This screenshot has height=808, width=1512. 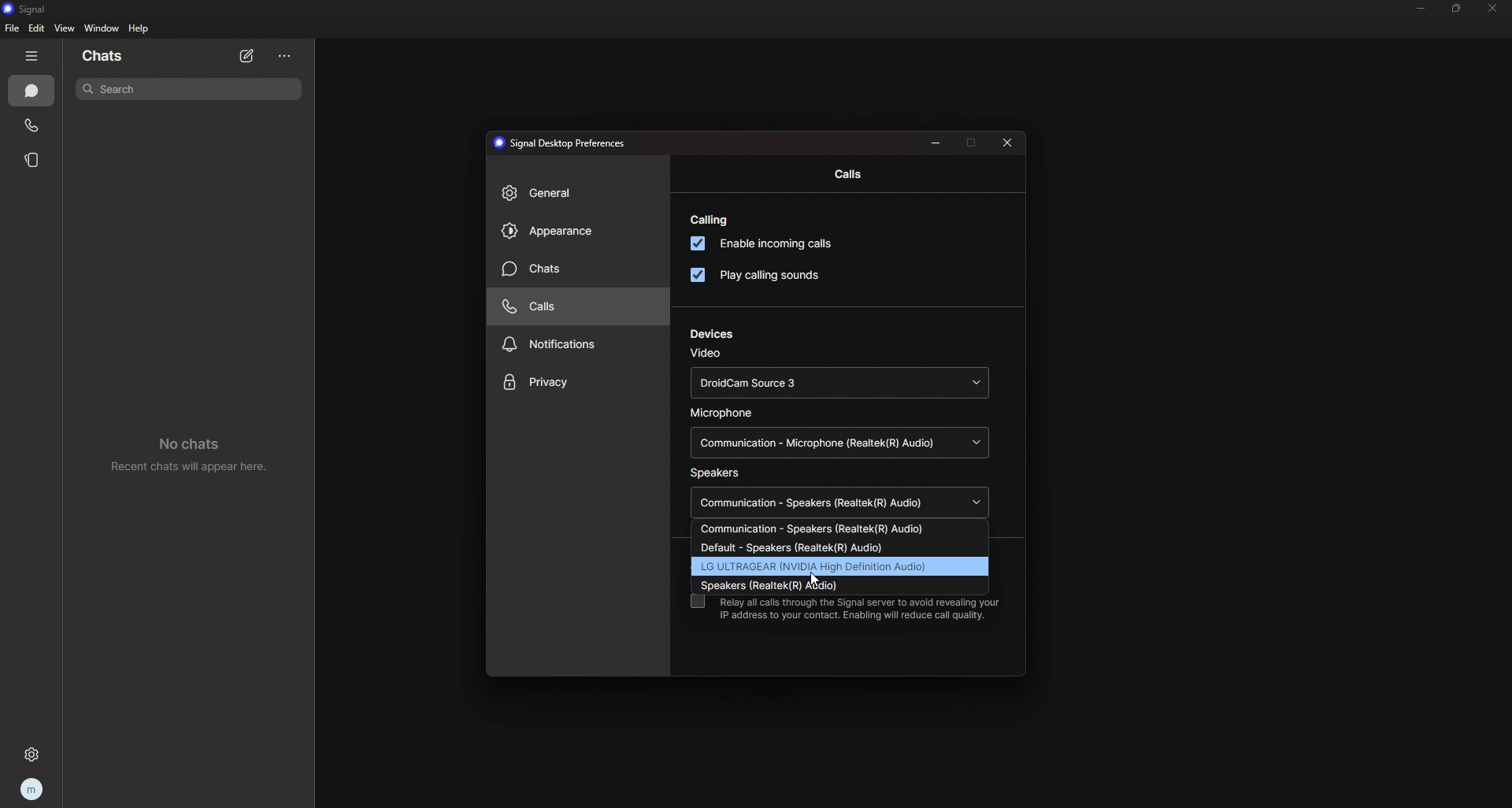 What do you see at coordinates (33, 788) in the screenshot?
I see `profile` at bounding box center [33, 788].